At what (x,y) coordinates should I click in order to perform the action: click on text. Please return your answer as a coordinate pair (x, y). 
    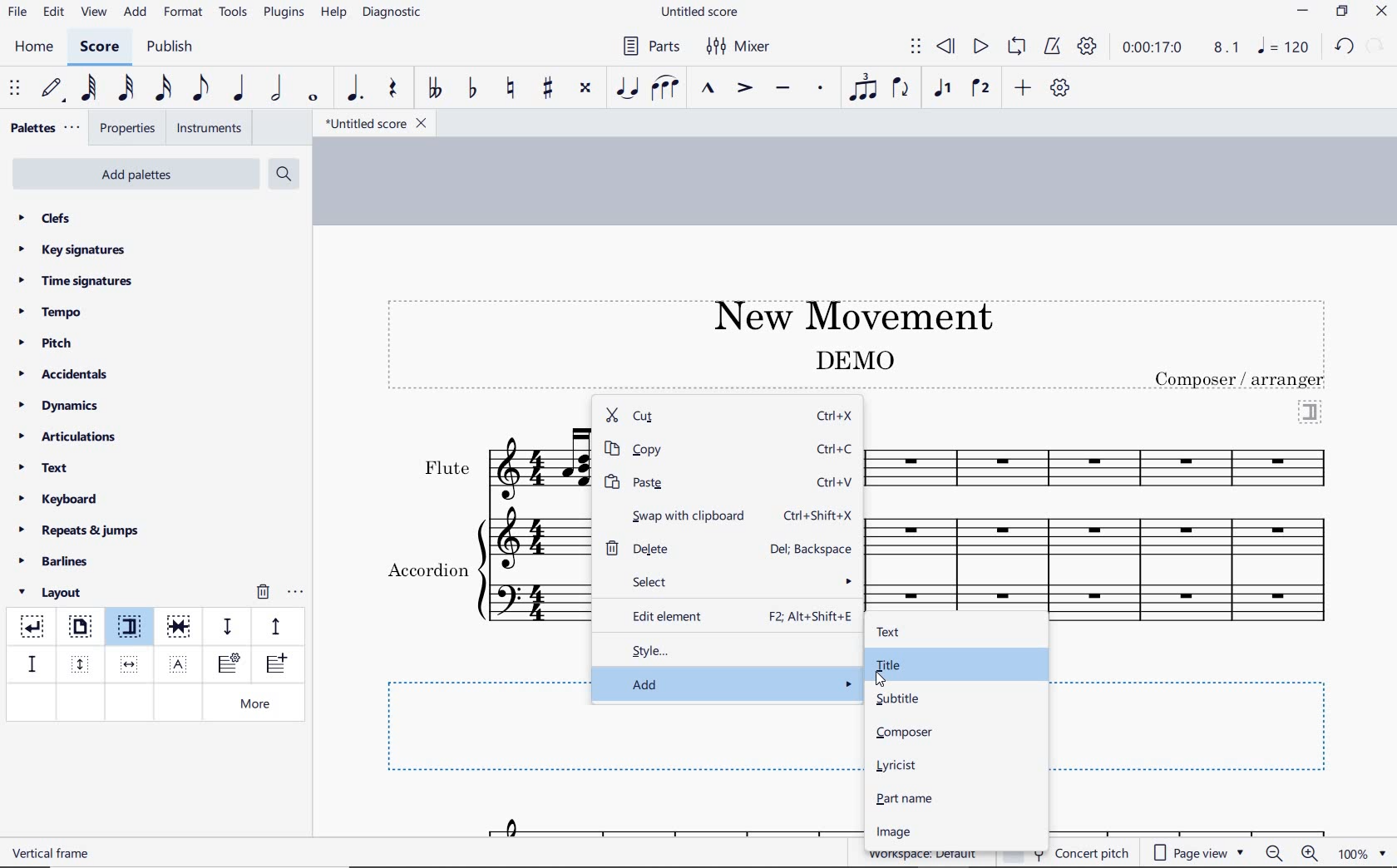
    Looking at the image, I should click on (853, 359).